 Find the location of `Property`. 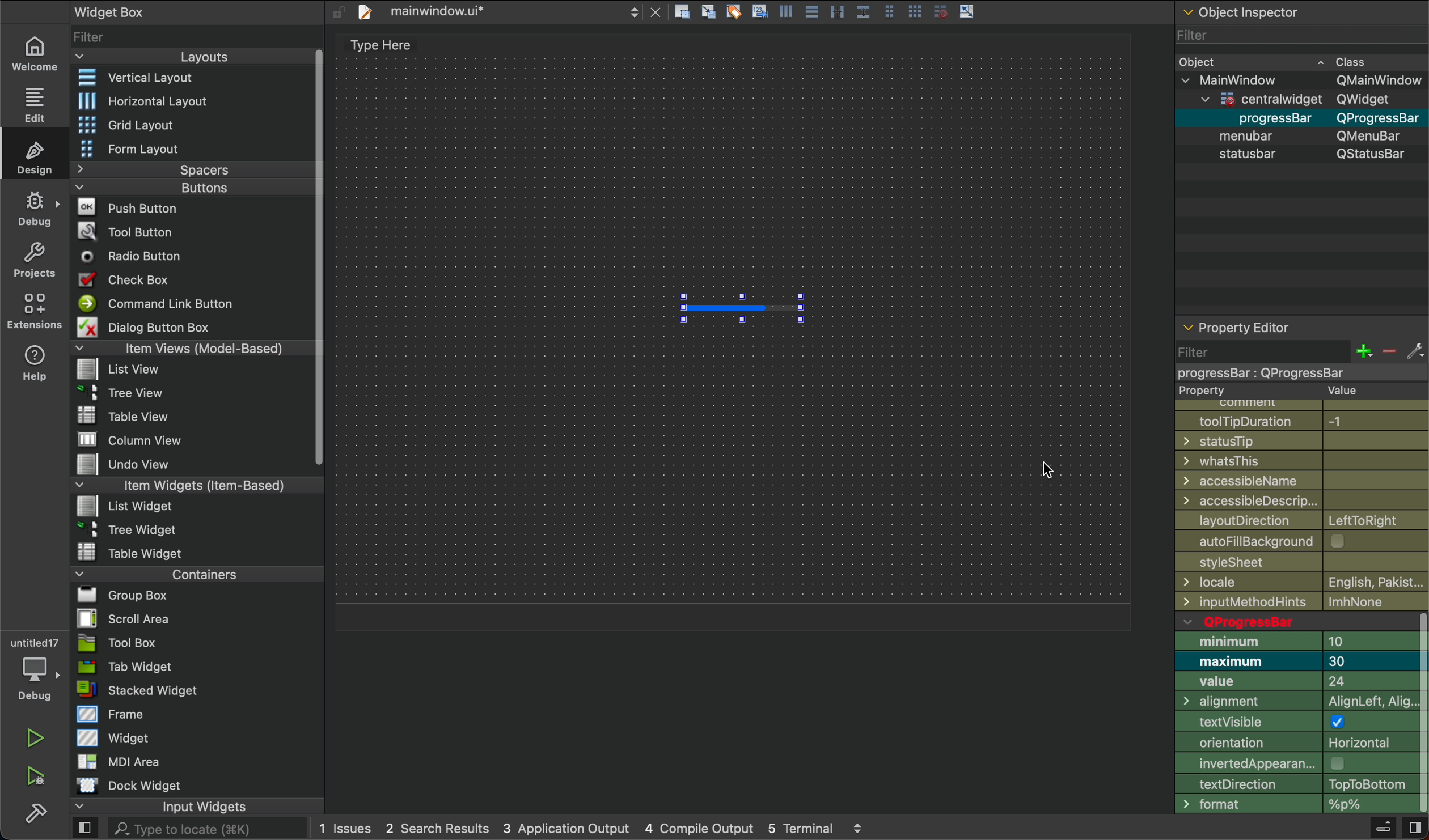

Property is located at coordinates (1294, 396).